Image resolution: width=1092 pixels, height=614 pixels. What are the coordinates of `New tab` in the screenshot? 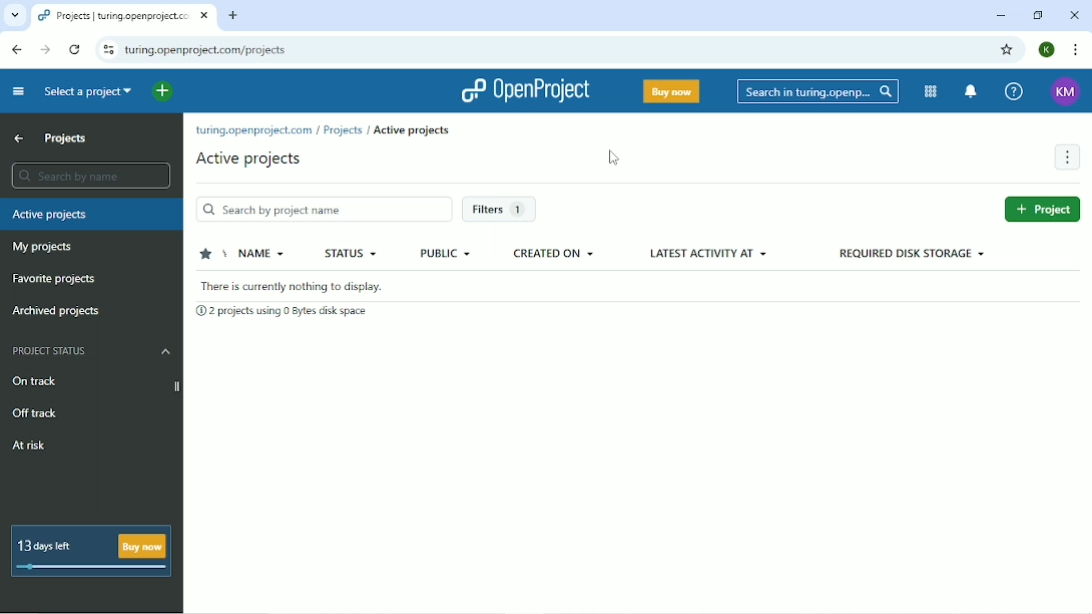 It's located at (233, 15).